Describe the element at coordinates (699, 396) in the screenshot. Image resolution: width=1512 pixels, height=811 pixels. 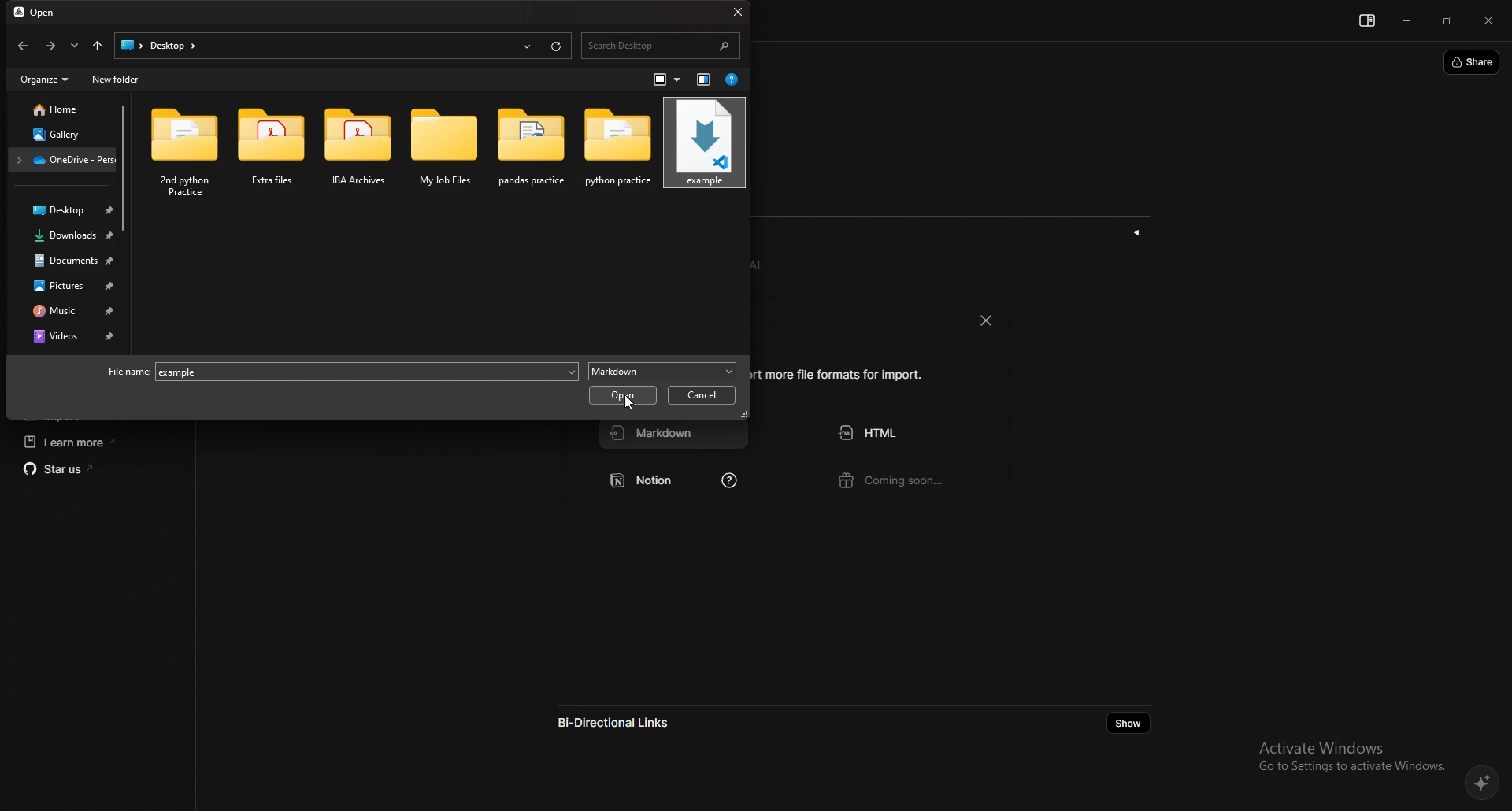
I see `cancel` at that location.